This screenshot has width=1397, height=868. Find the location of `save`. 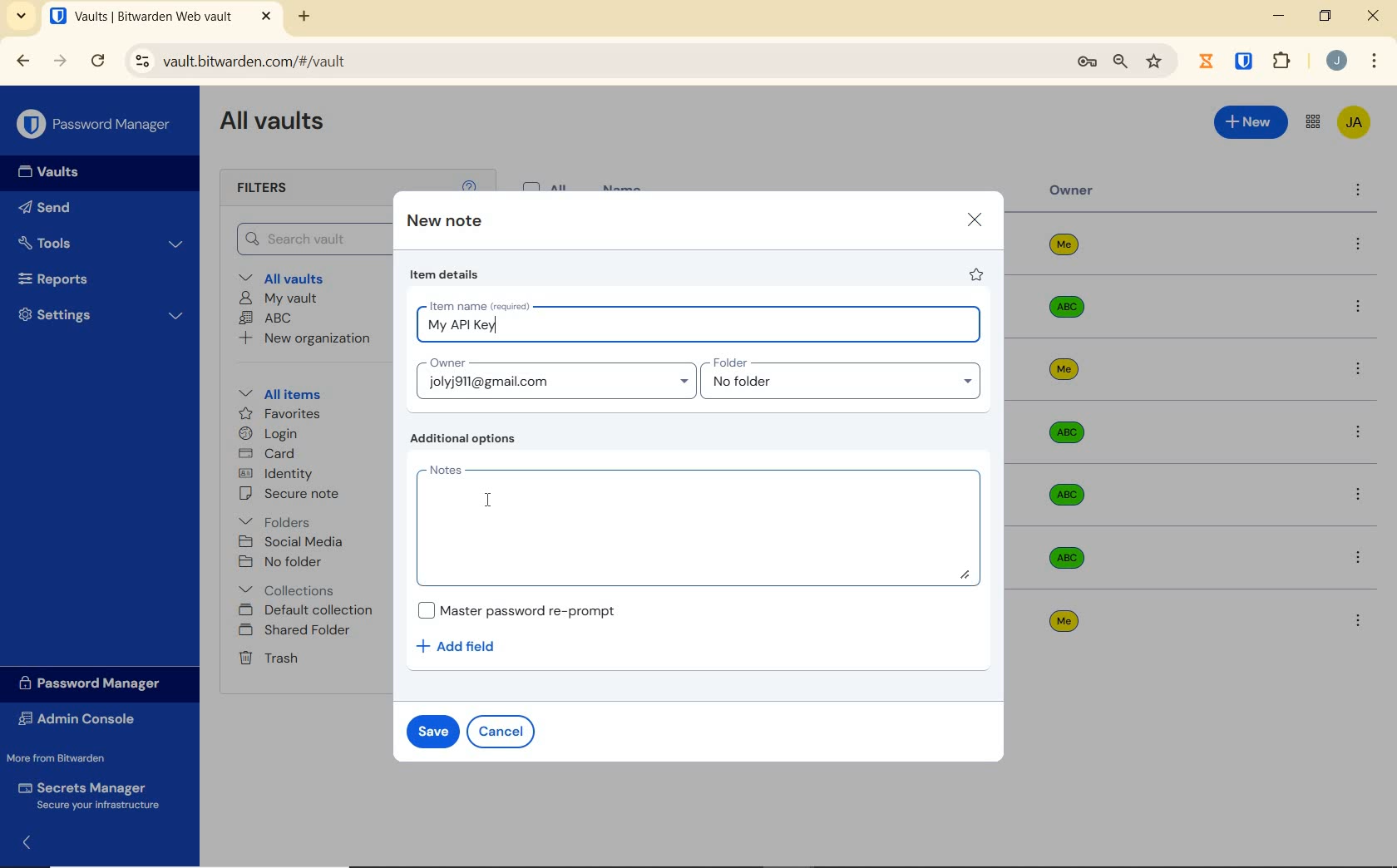

save is located at coordinates (433, 730).